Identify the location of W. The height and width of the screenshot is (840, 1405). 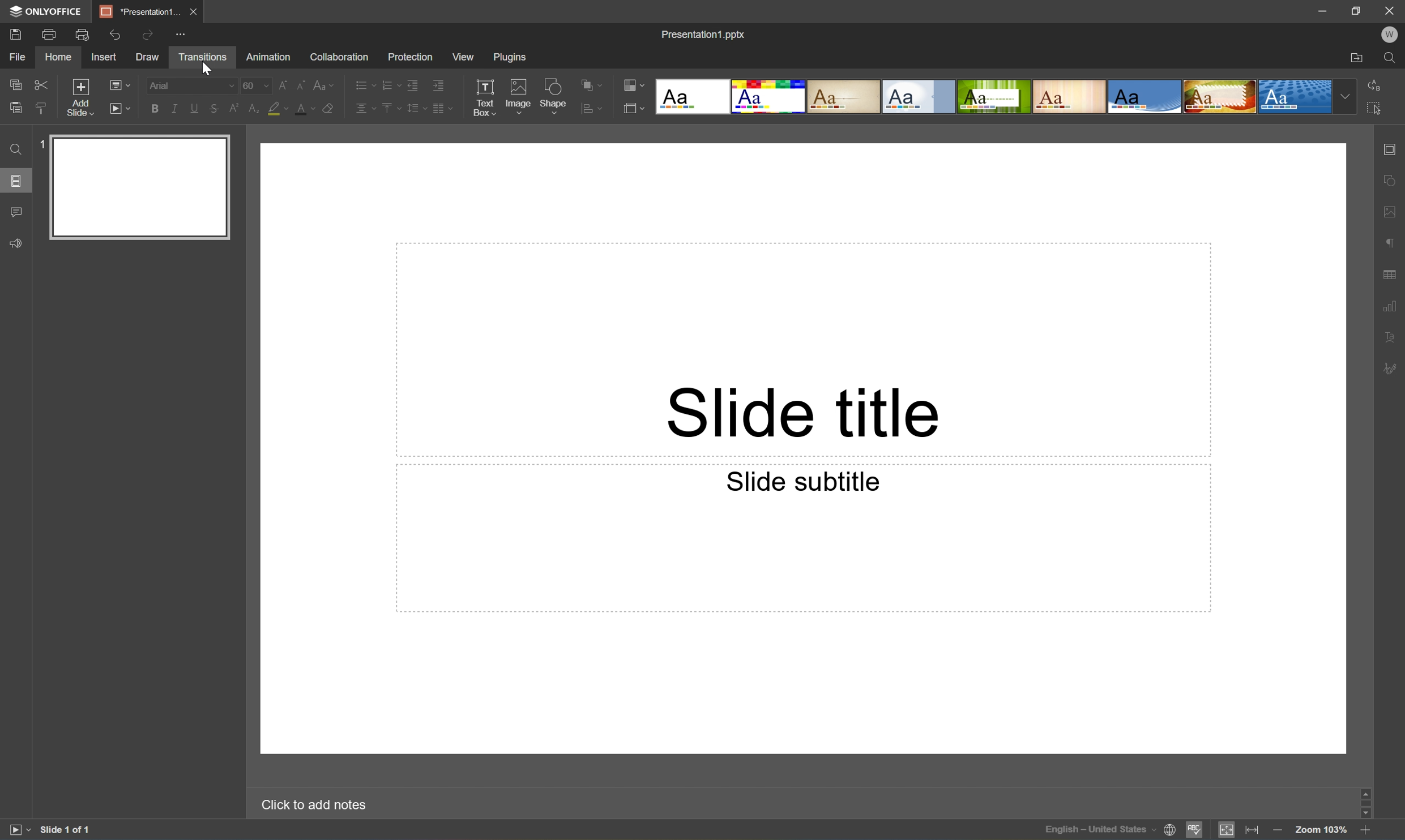
(1389, 33).